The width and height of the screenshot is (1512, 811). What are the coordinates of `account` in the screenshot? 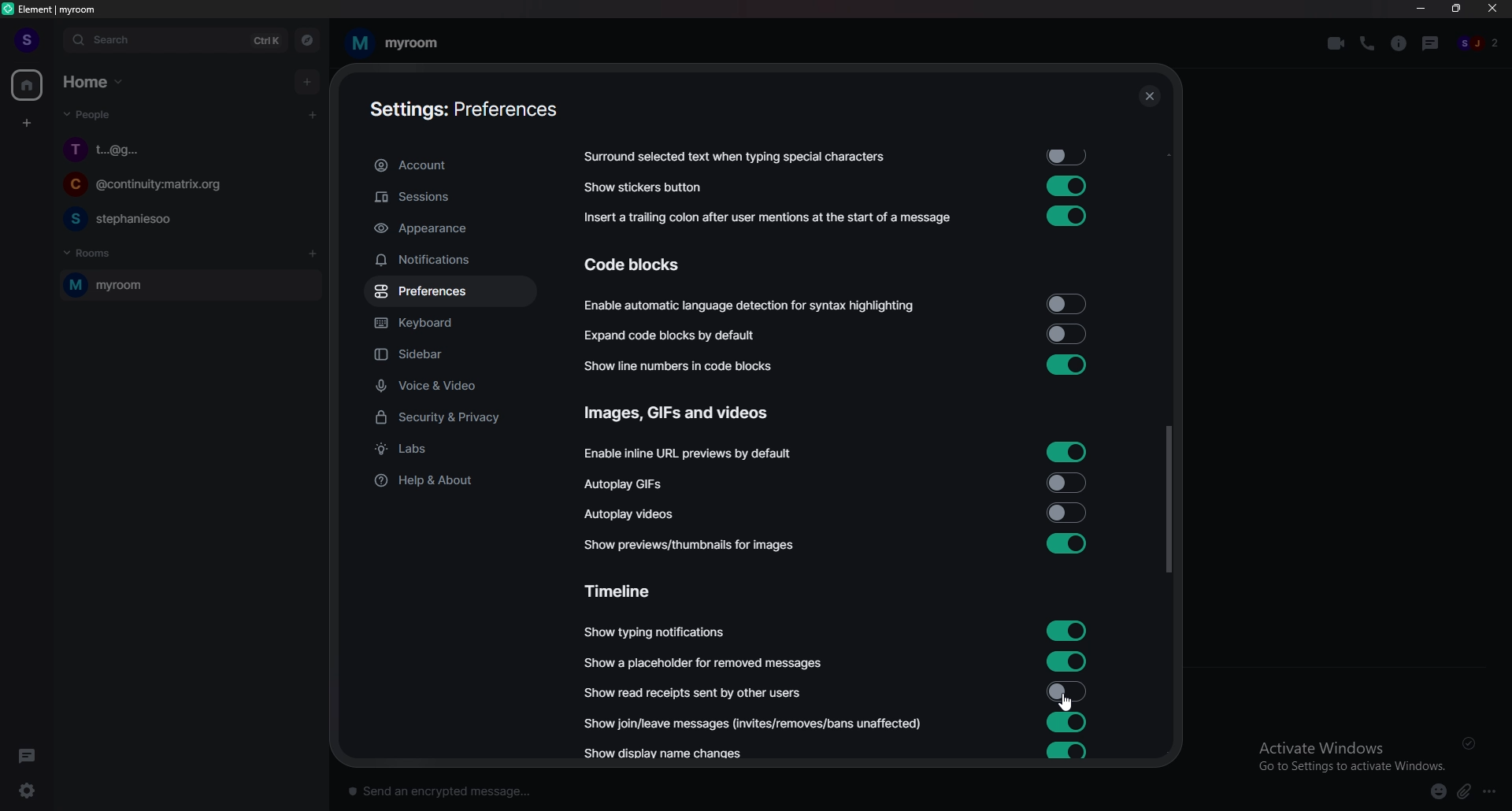 It's located at (449, 166).